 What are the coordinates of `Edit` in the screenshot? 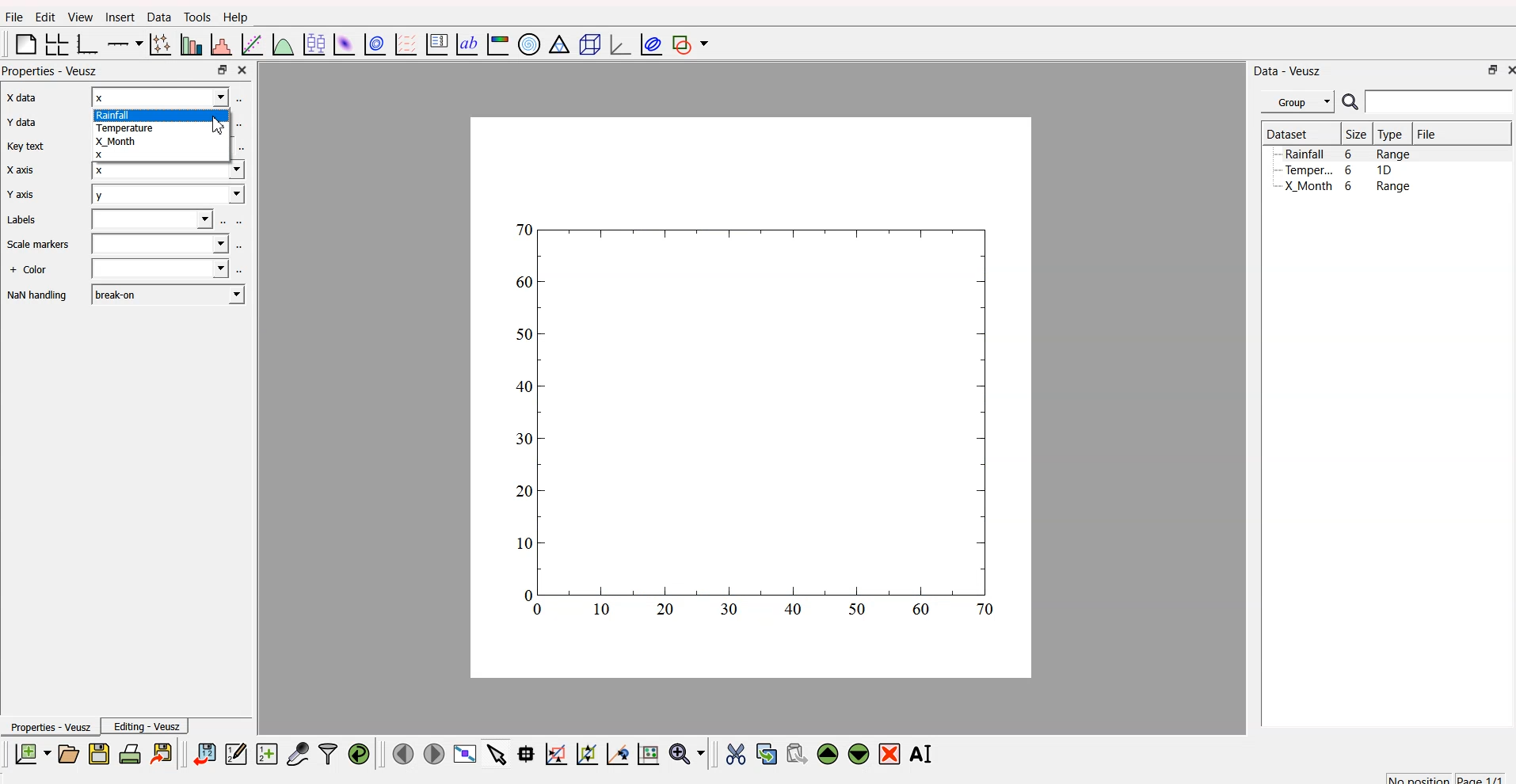 It's located at (43, 17).